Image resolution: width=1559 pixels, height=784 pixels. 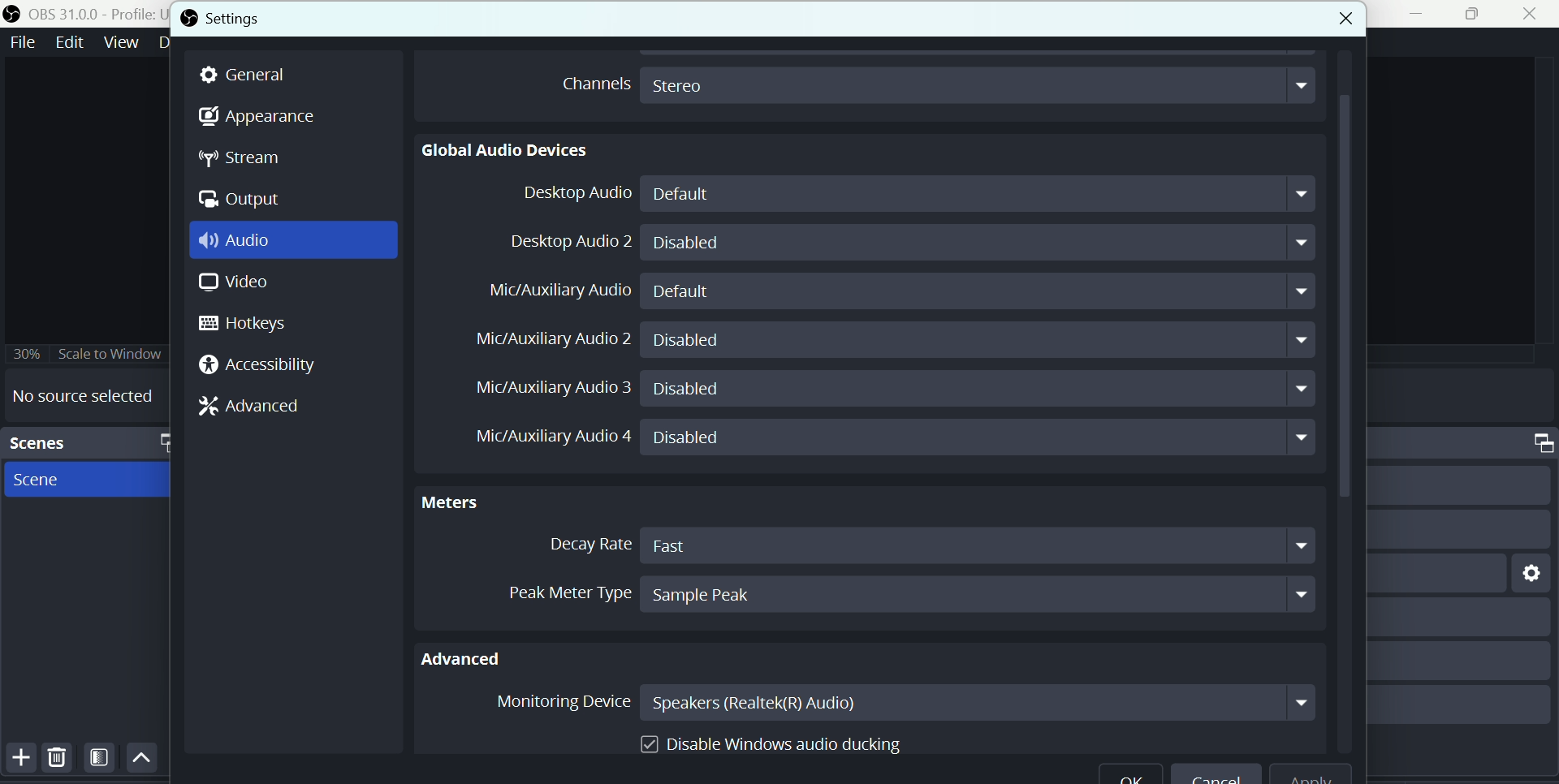 What do you see at coordinates (259, 118) in the screenshot?
I see `Appearance` at bounding box center [259, 118].